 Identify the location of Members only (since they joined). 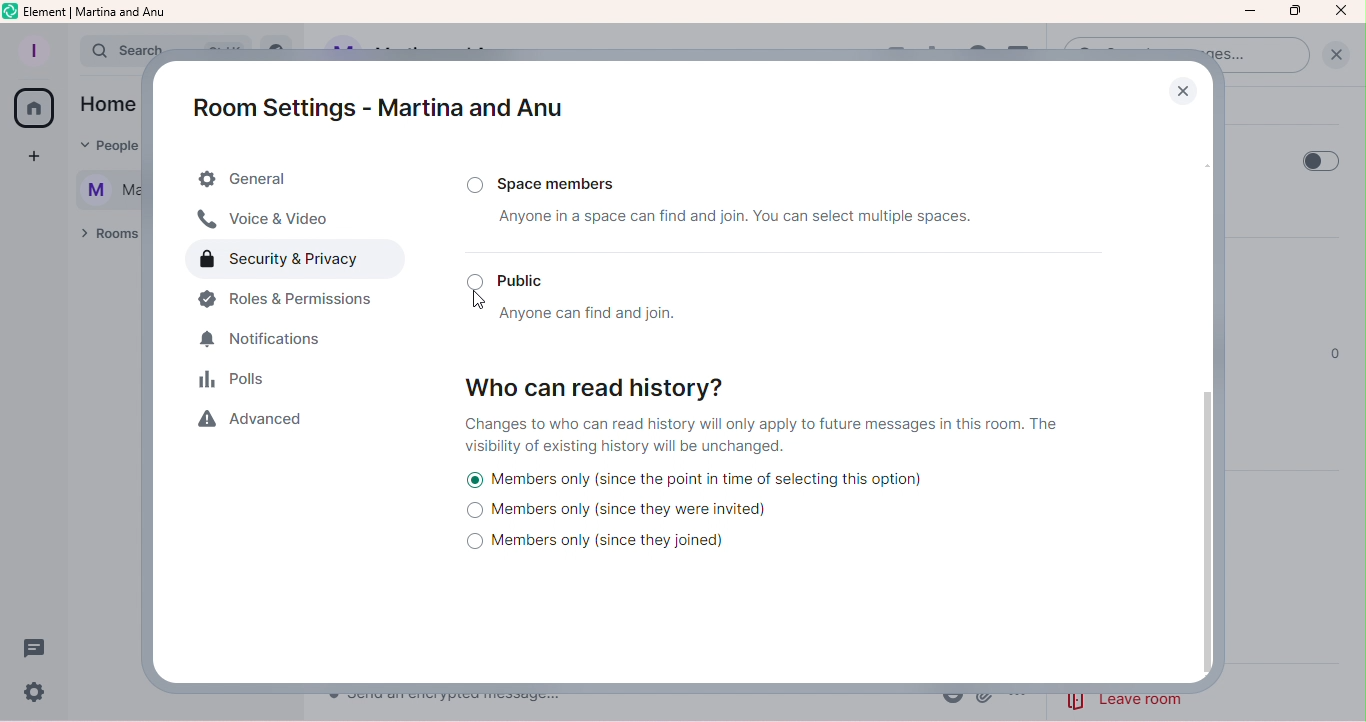
(607, 544).